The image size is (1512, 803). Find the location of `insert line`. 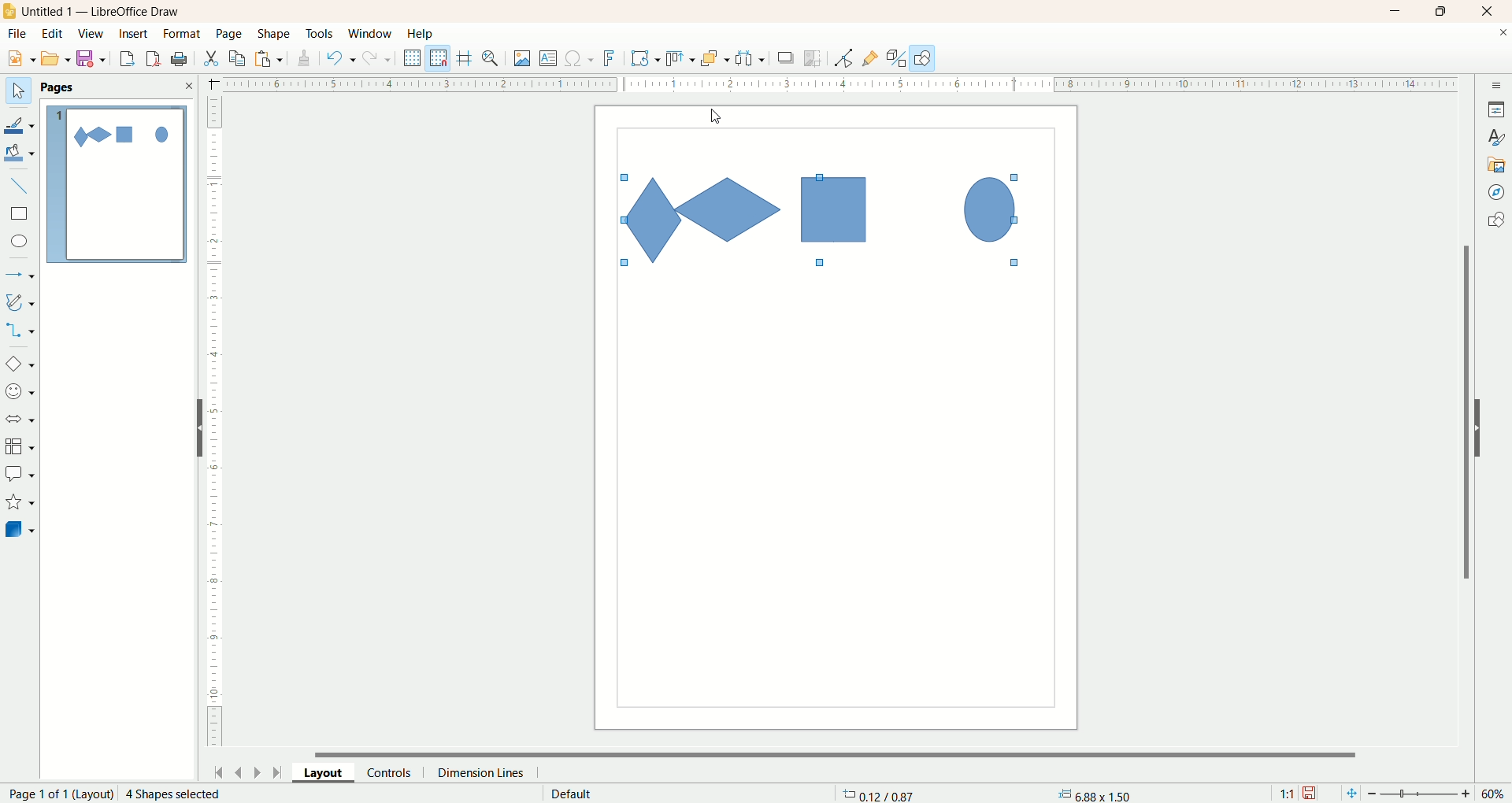

insert line is located at coordinates (22, 187).